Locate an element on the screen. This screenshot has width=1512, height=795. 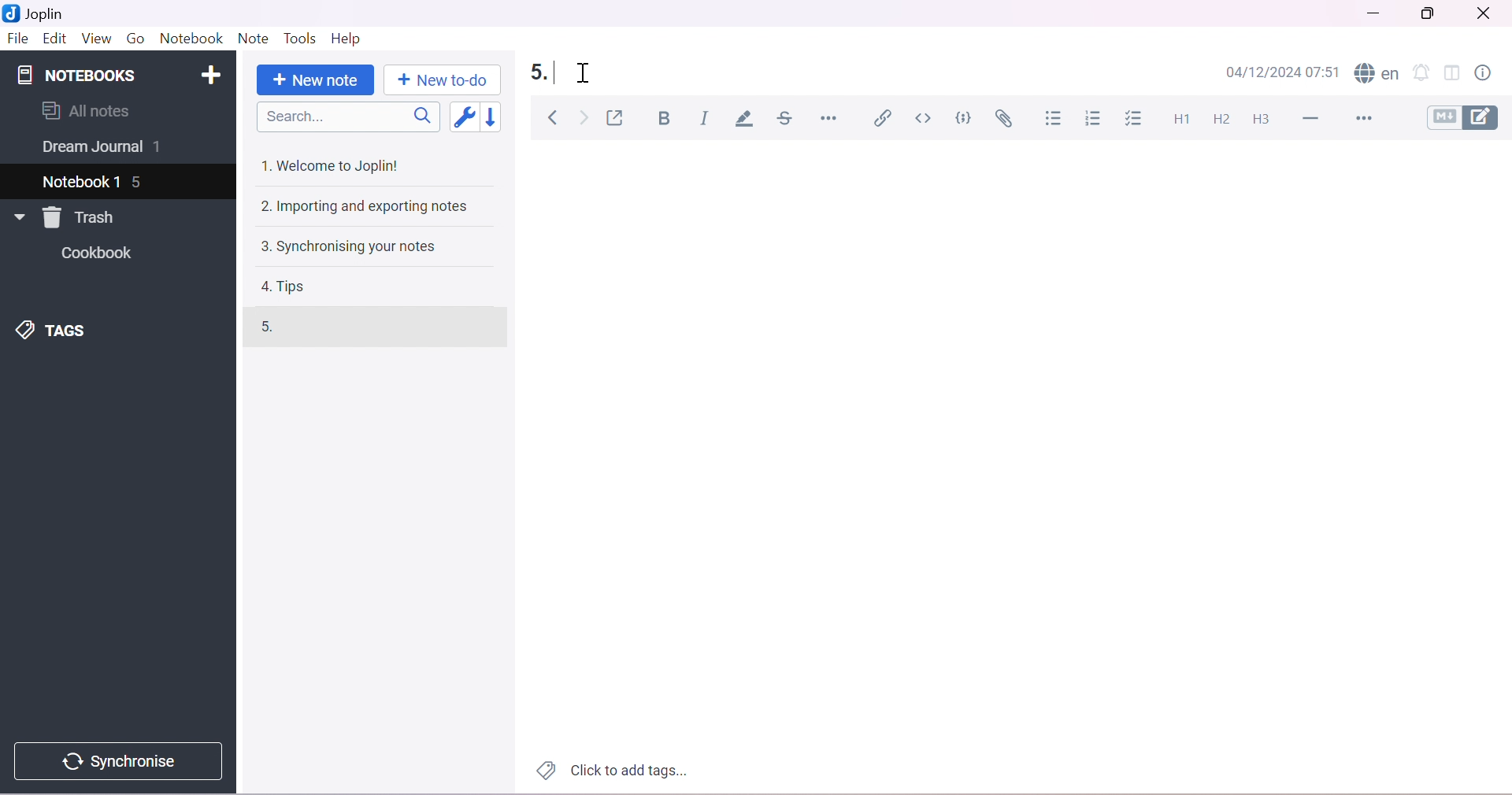
Minimize is located at coordinates (1371, 16).